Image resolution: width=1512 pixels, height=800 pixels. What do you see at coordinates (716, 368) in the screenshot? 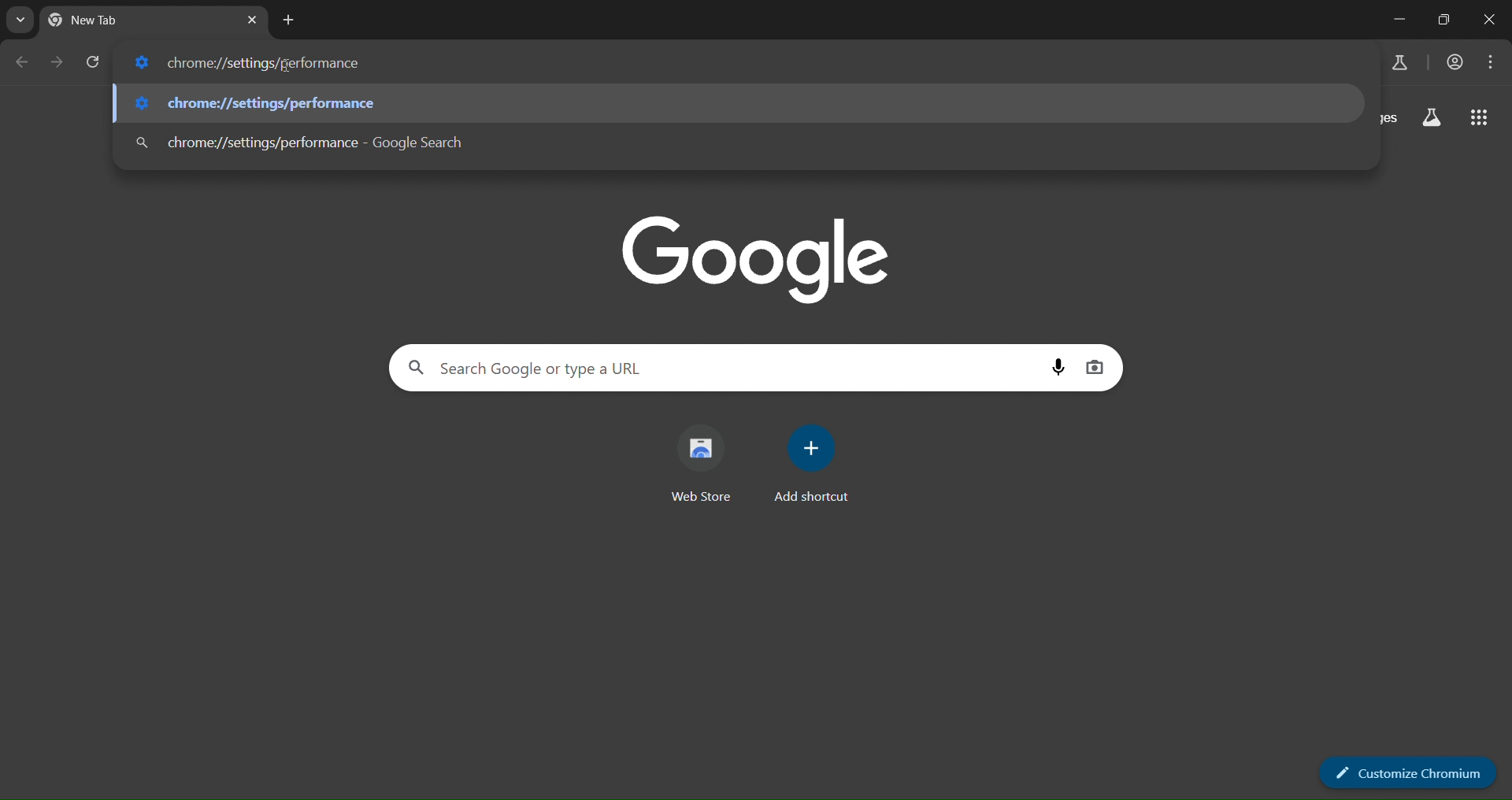
I see `Search Google or type a URL` at bounding box center [716, 368].